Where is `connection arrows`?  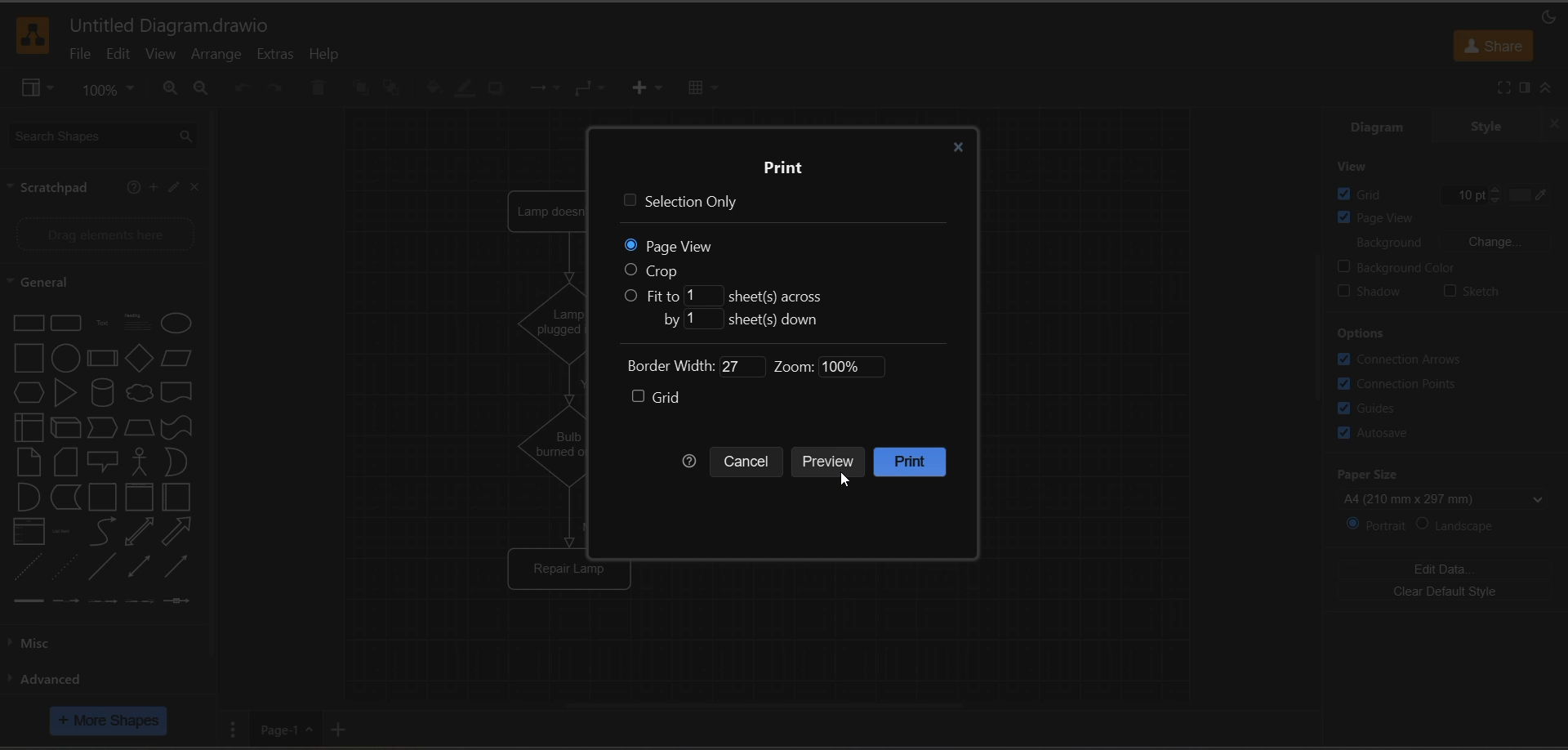 connection arrows is located at coordinates (1416, 359).